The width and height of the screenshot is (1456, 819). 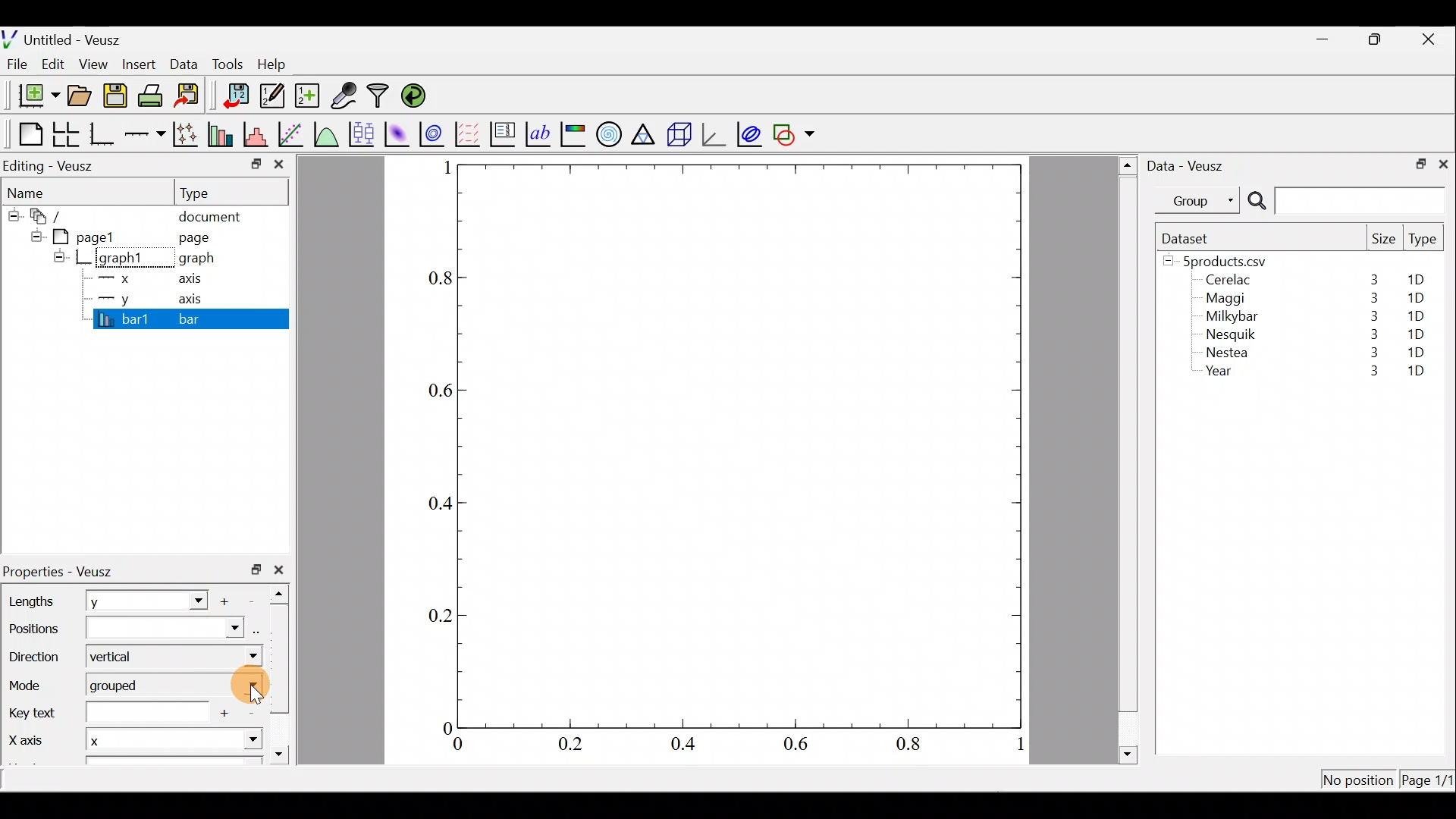 What do you see at coordinates (1418, 331) in the screenshot?
I see `1D` at bounding box center [1418, 331].